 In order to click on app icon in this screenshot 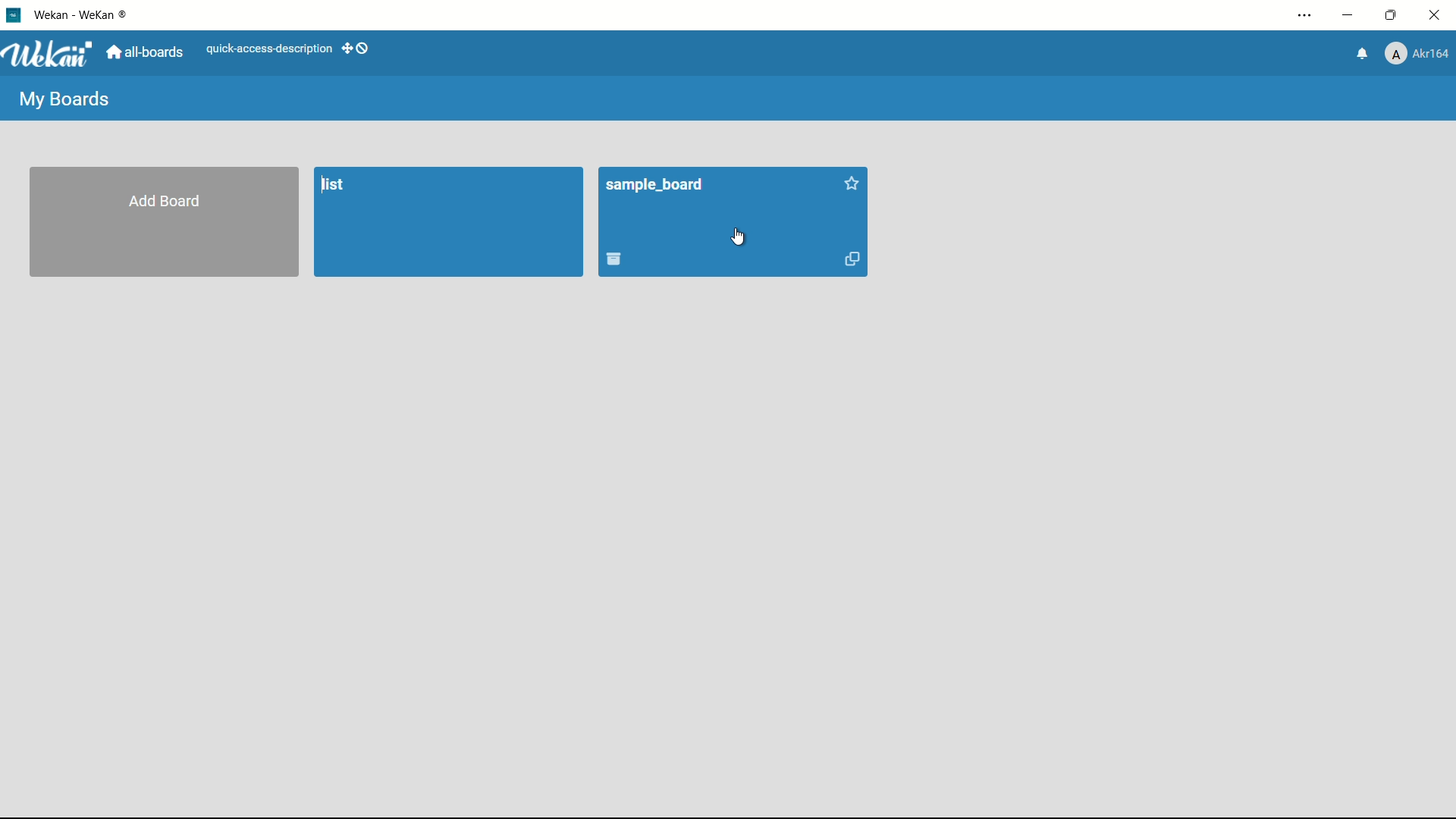, I will do `click(13, 16)`.